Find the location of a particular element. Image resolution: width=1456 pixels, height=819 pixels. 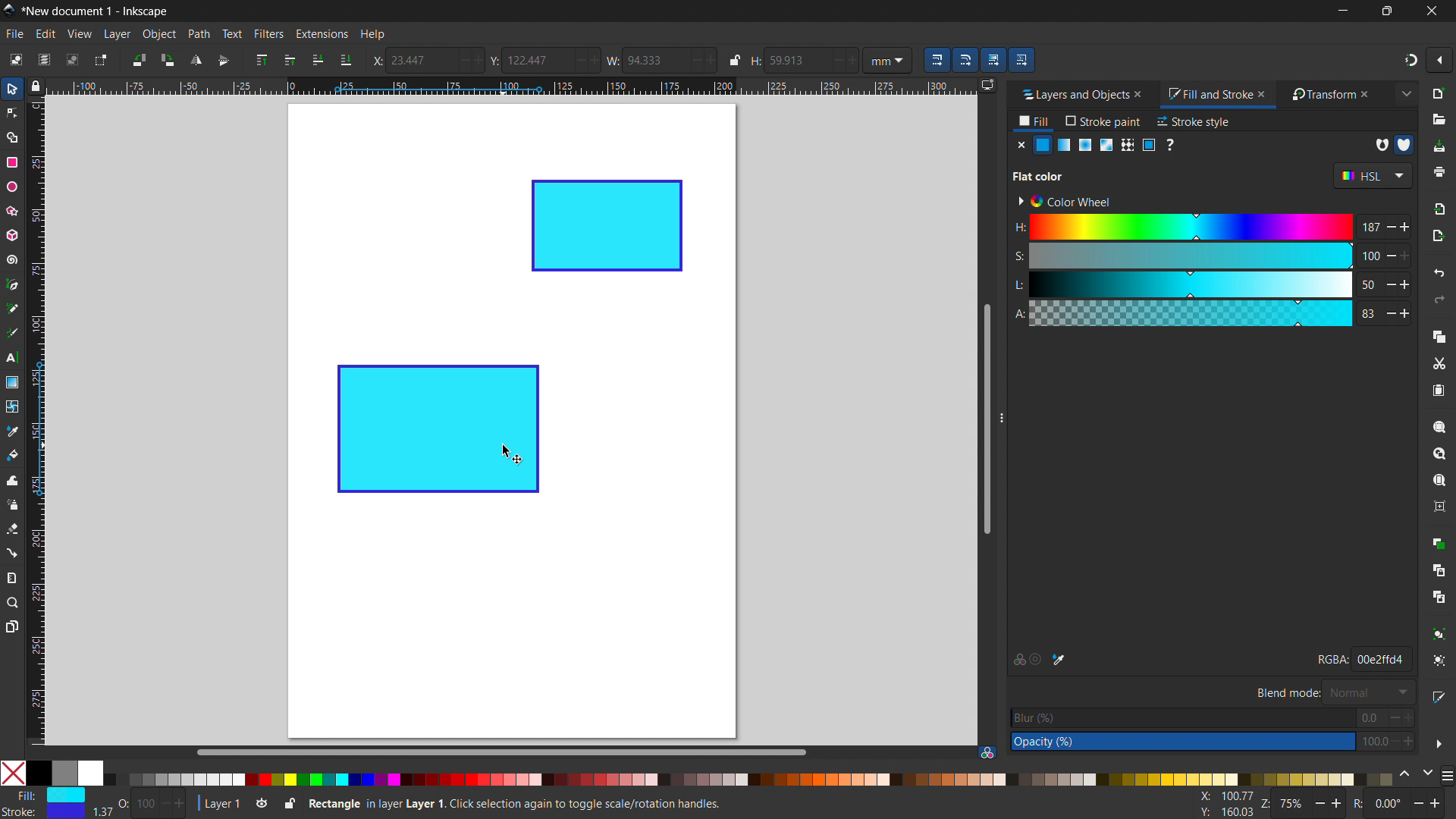

minimize is located at coordinates (1341, 11).